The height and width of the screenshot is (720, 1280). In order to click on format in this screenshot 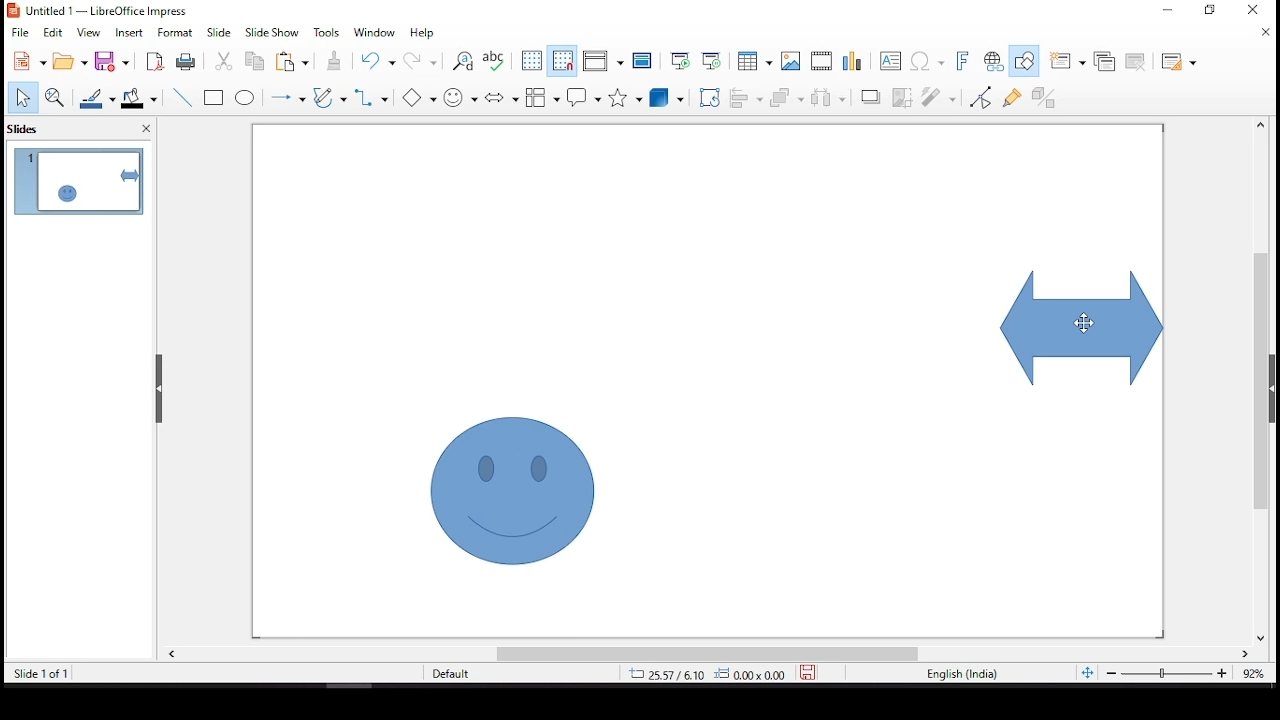, I will do `click(176, 32)`.